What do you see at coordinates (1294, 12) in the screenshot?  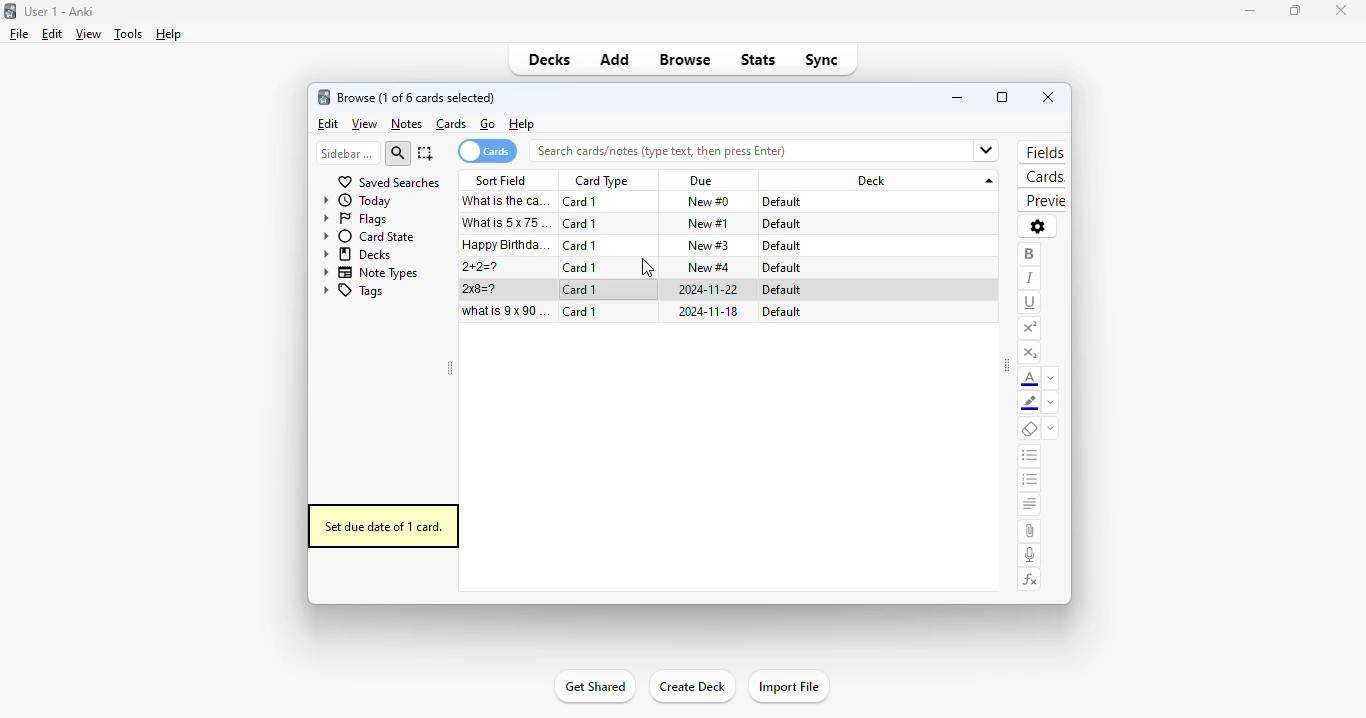 I see `maximize` at bounding box center [1294, 12].